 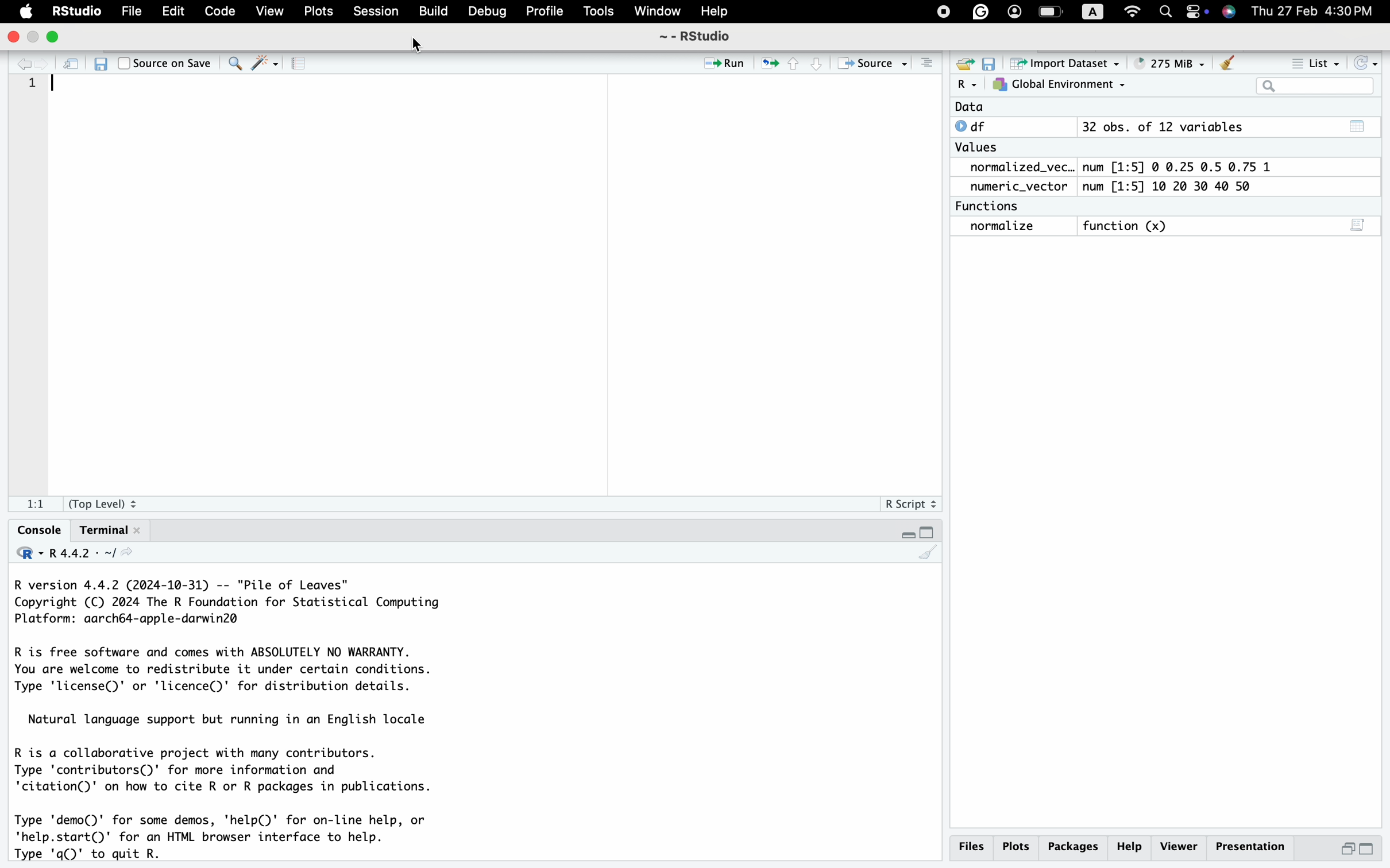 I want to click on File, so click(x=132, y=10).